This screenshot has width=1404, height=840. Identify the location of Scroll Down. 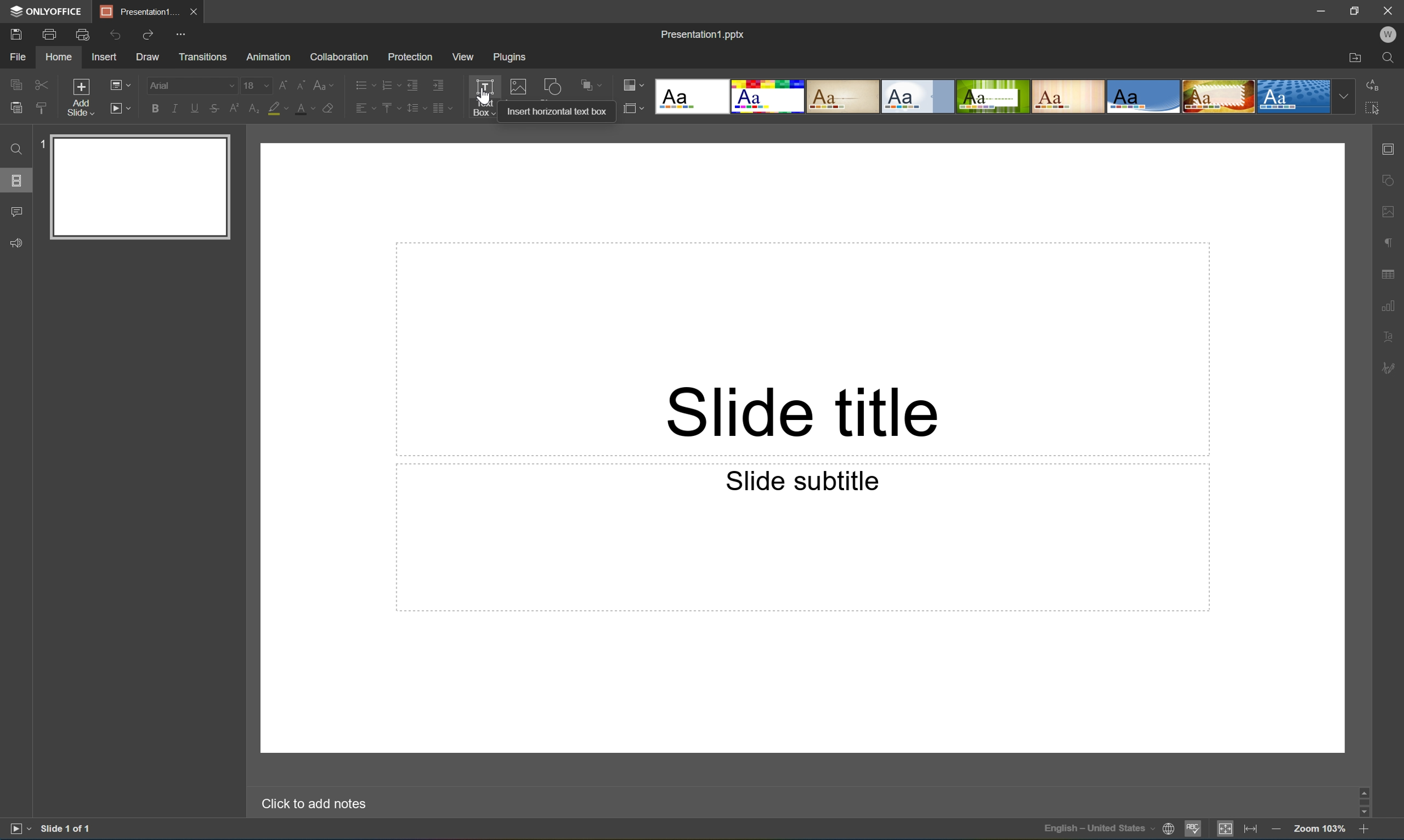
(1363, 812).